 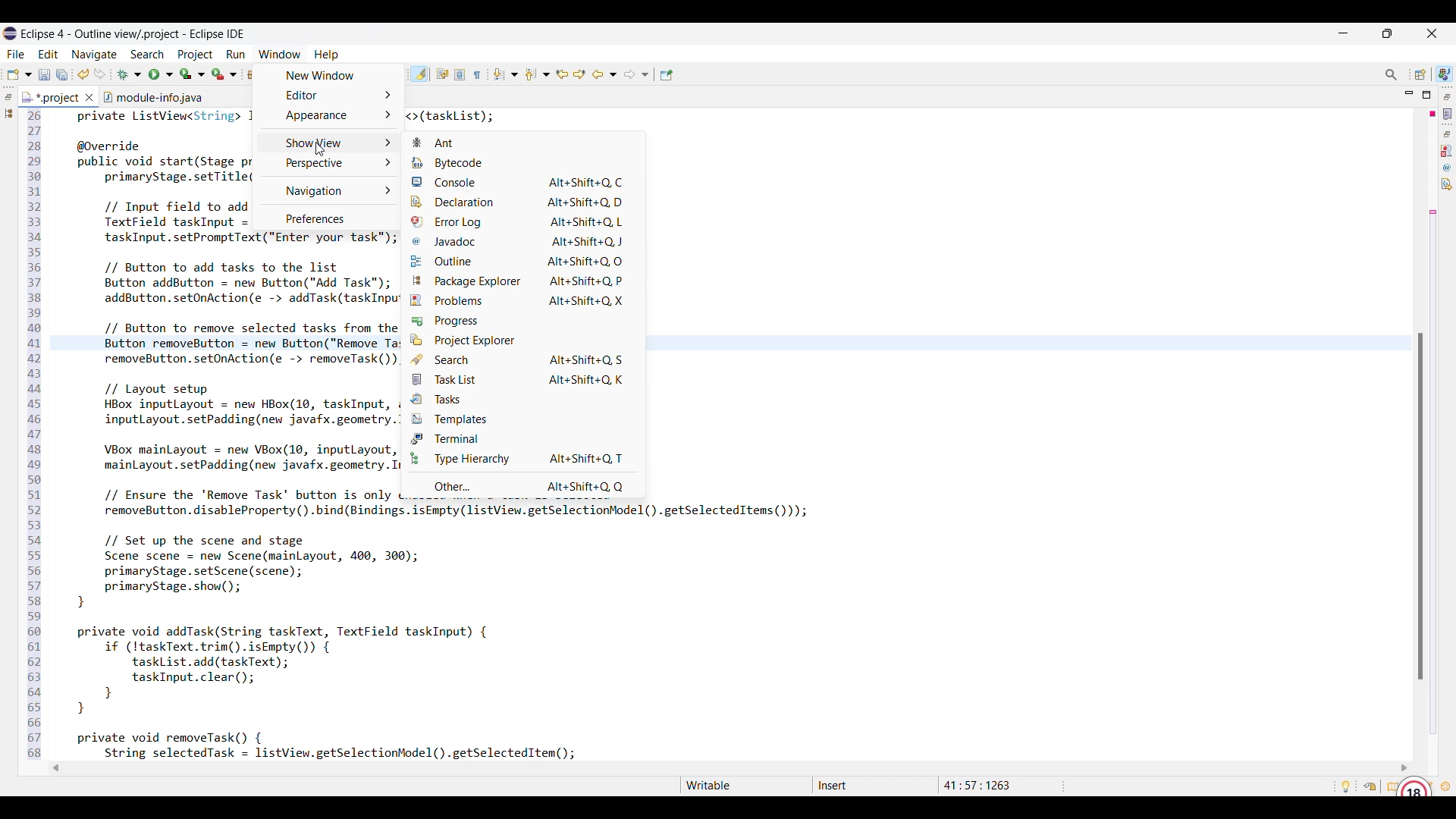 What do you see at coordinates (442, 74) in the screenshot?
I see `Toggle word wrap` at bounding box center [442, 74].